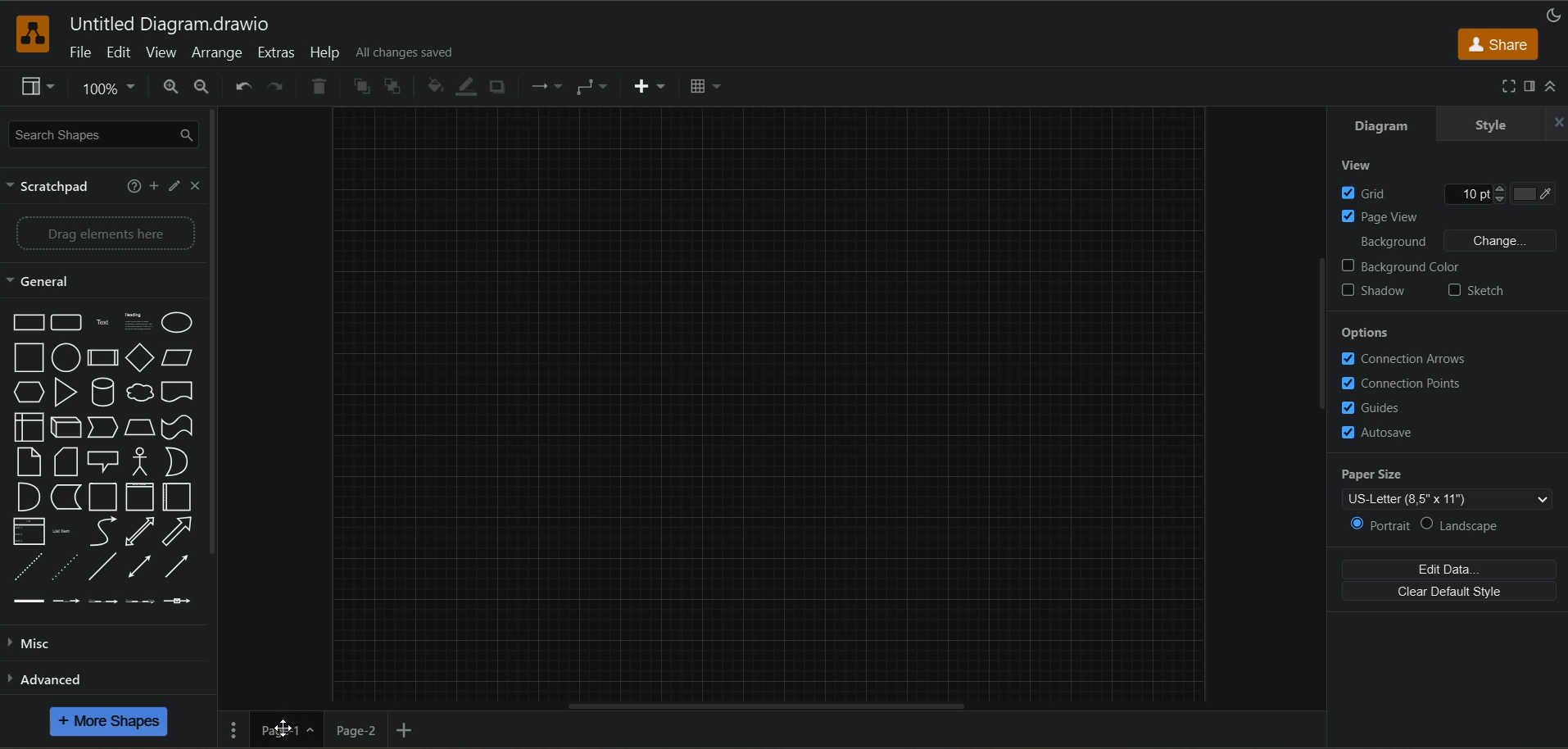 The image size is (1568, 749). Describe the element at coordinates (1529, 194) in the screenshot. I see `Grid color` at that location.